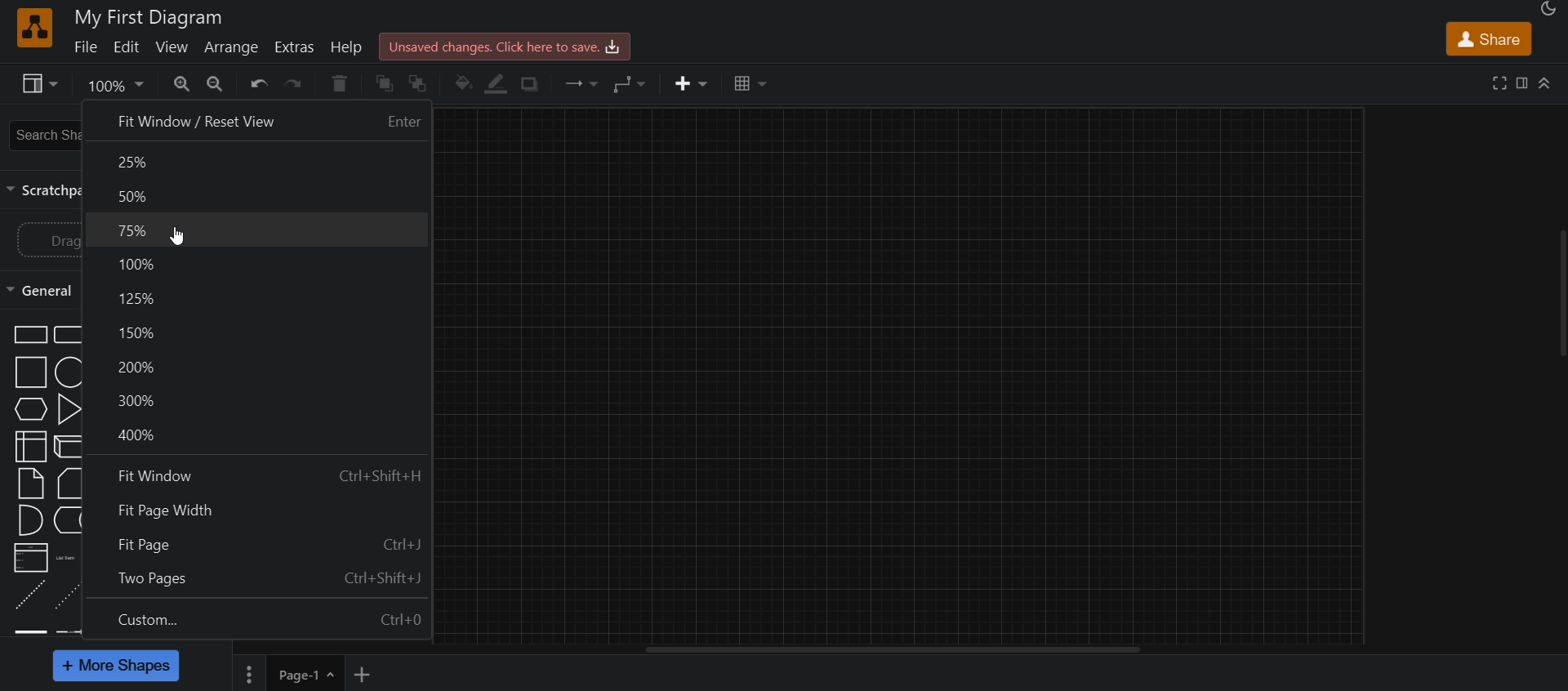 The image size is (1568, 691). I want to click on scratchpad, so click(42, 193).